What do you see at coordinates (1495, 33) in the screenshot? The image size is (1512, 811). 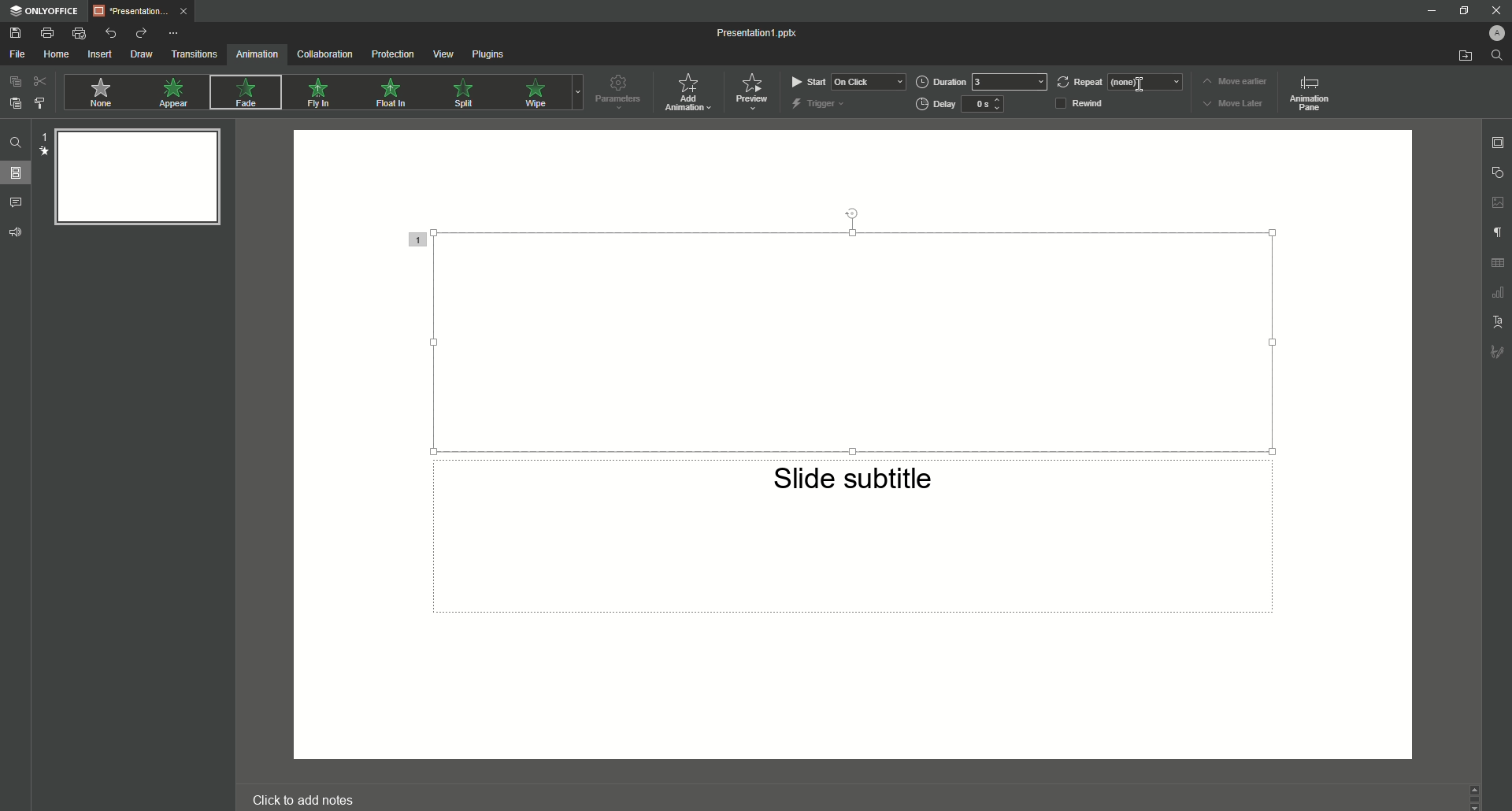 I see `Profile` at bounding box center [1495, 33].